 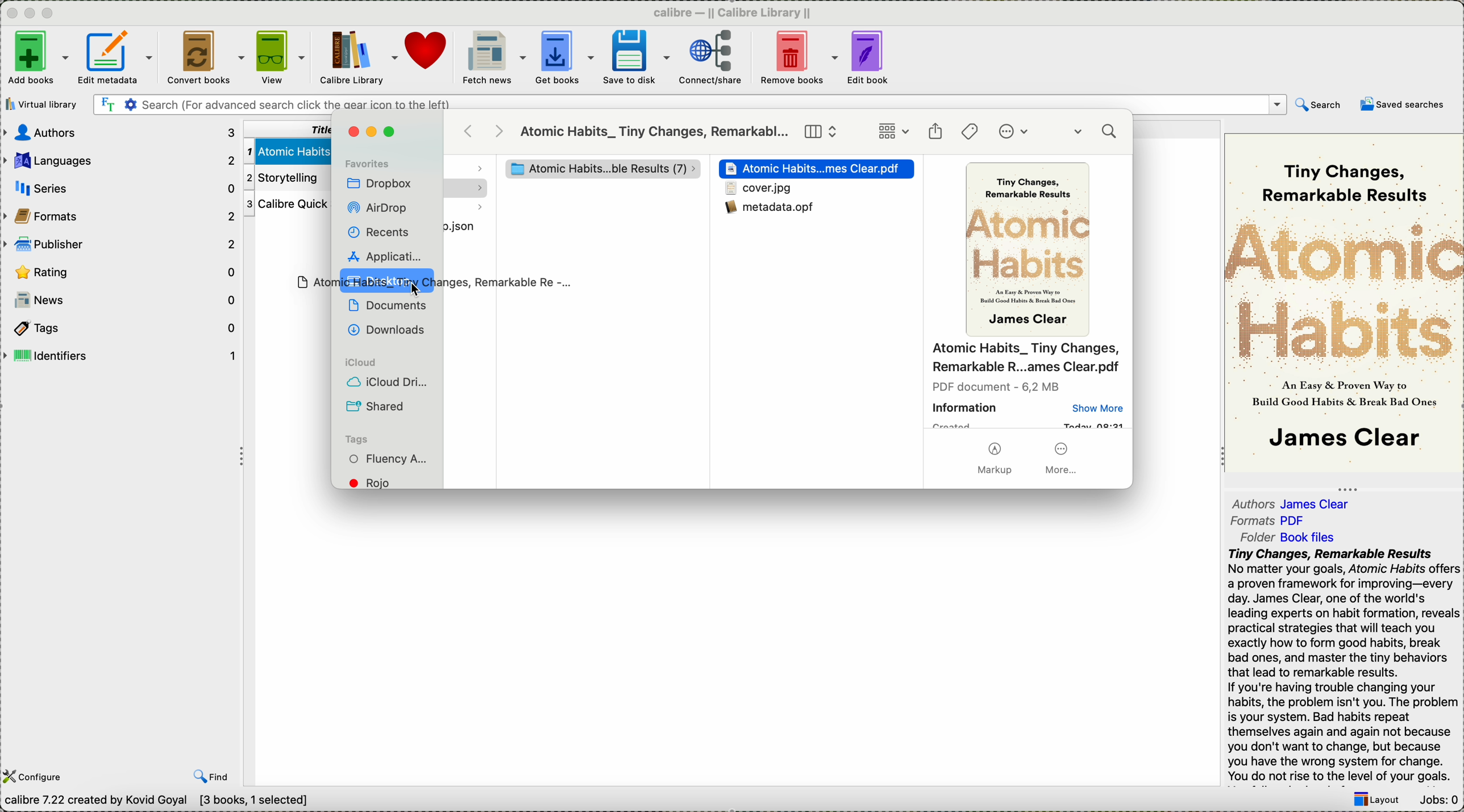 What do you see at coordinates (358, 363) in the screenshot?
I see `icloud` at bounding box center [358, 363].